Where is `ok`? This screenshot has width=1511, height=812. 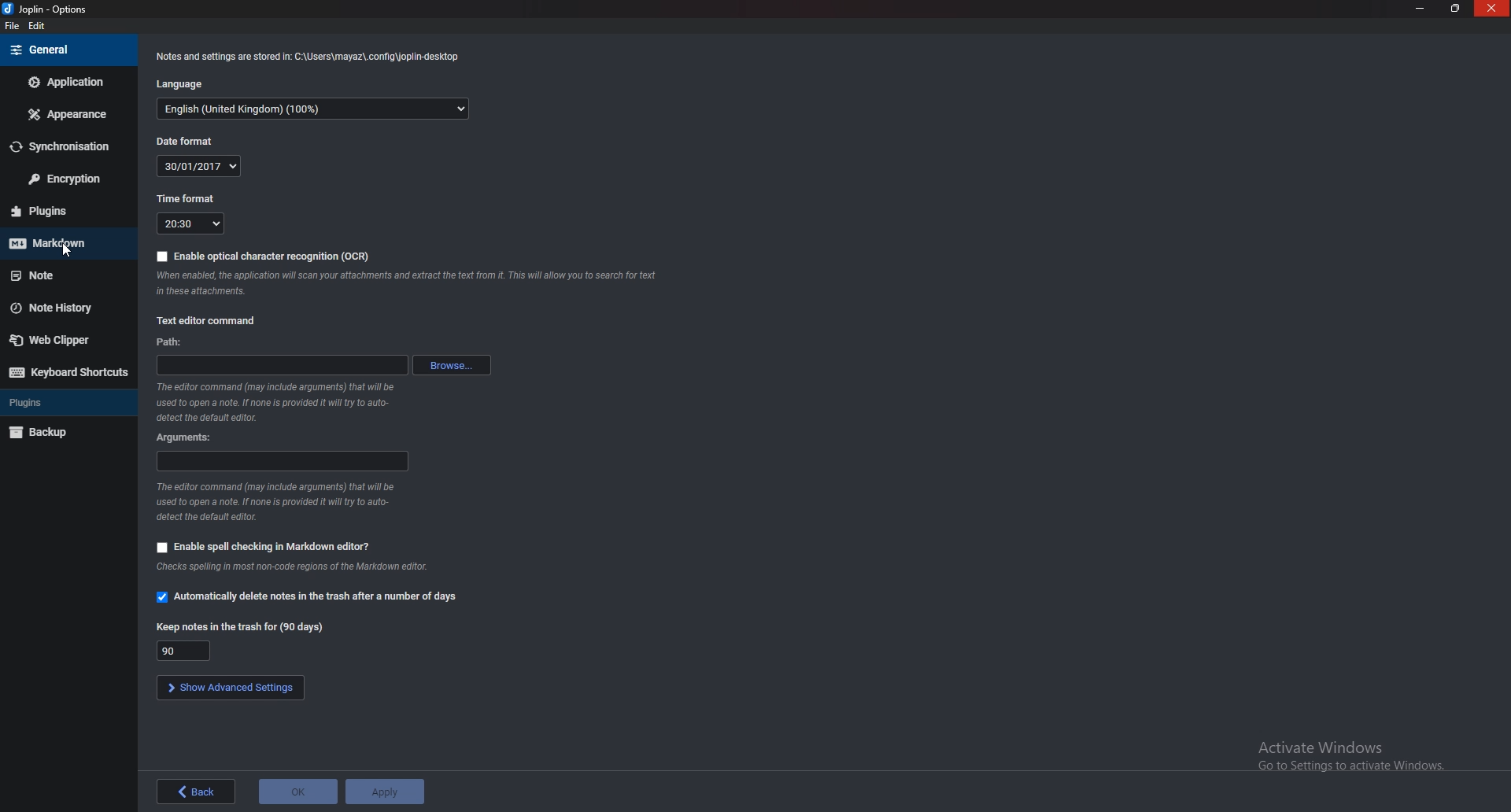
ok is located at coordinates (299, 791).